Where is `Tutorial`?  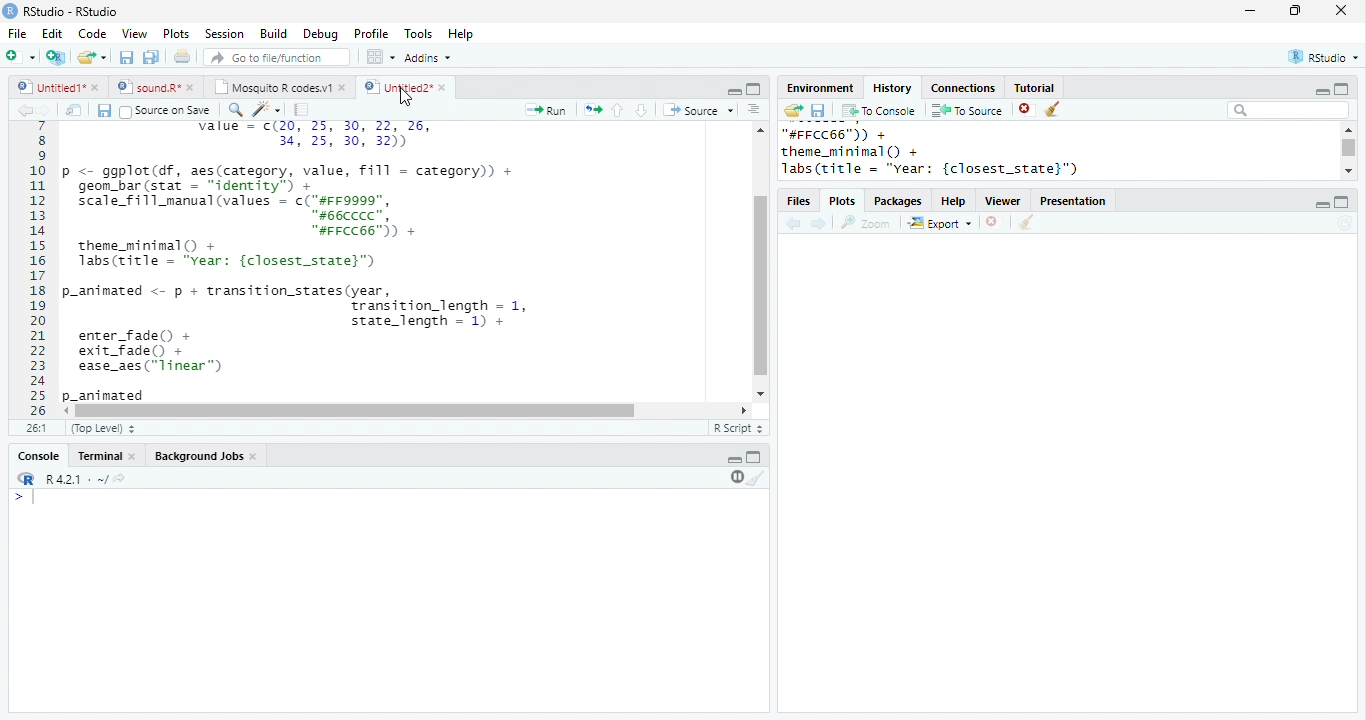 Tutorial is located at coordinates (1035, 88).